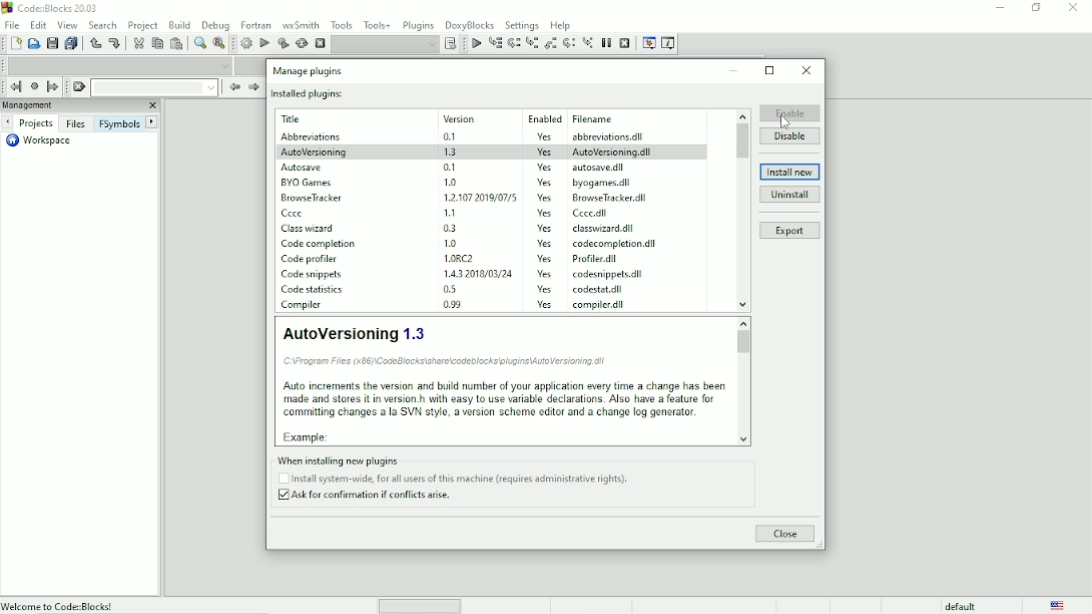  I want to click on plugin, so click(312, 227).